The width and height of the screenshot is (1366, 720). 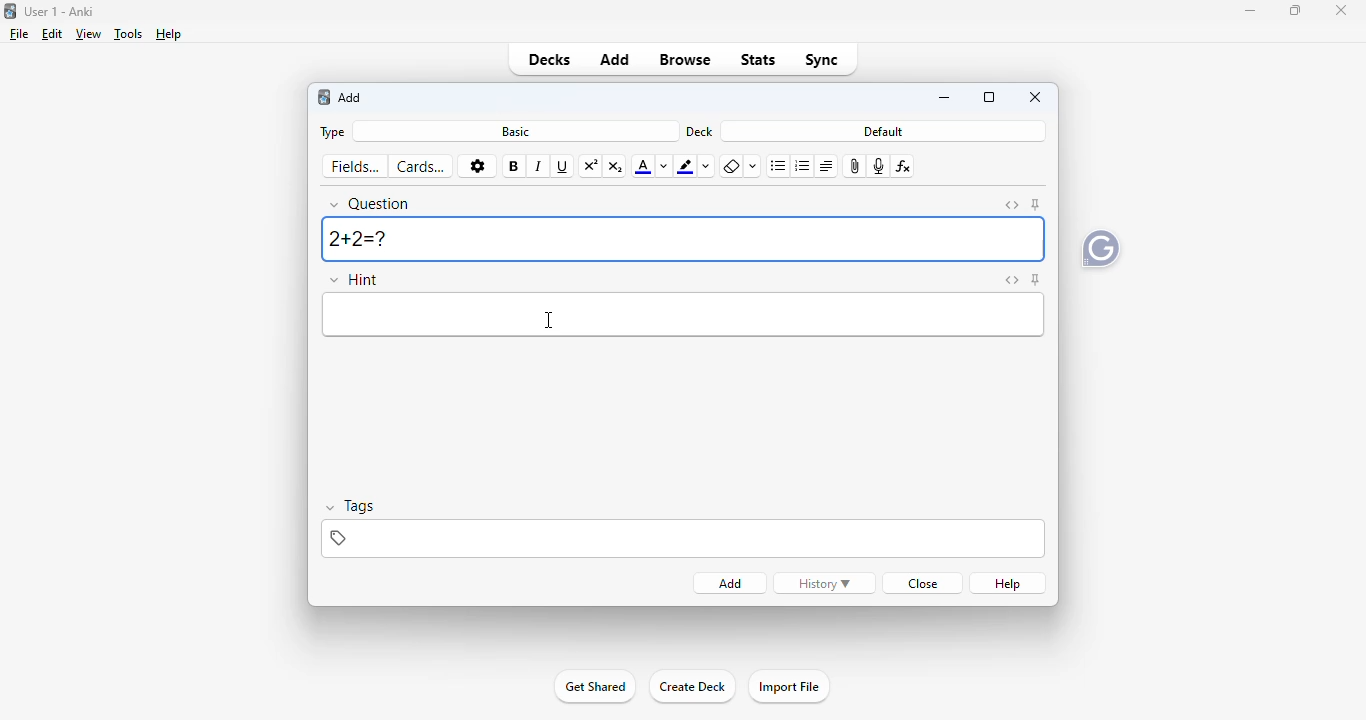 What do you see at coordinates (1036, 204) in the screenshot?
I see `toggle sticky` at bounding box center [1036, 204].